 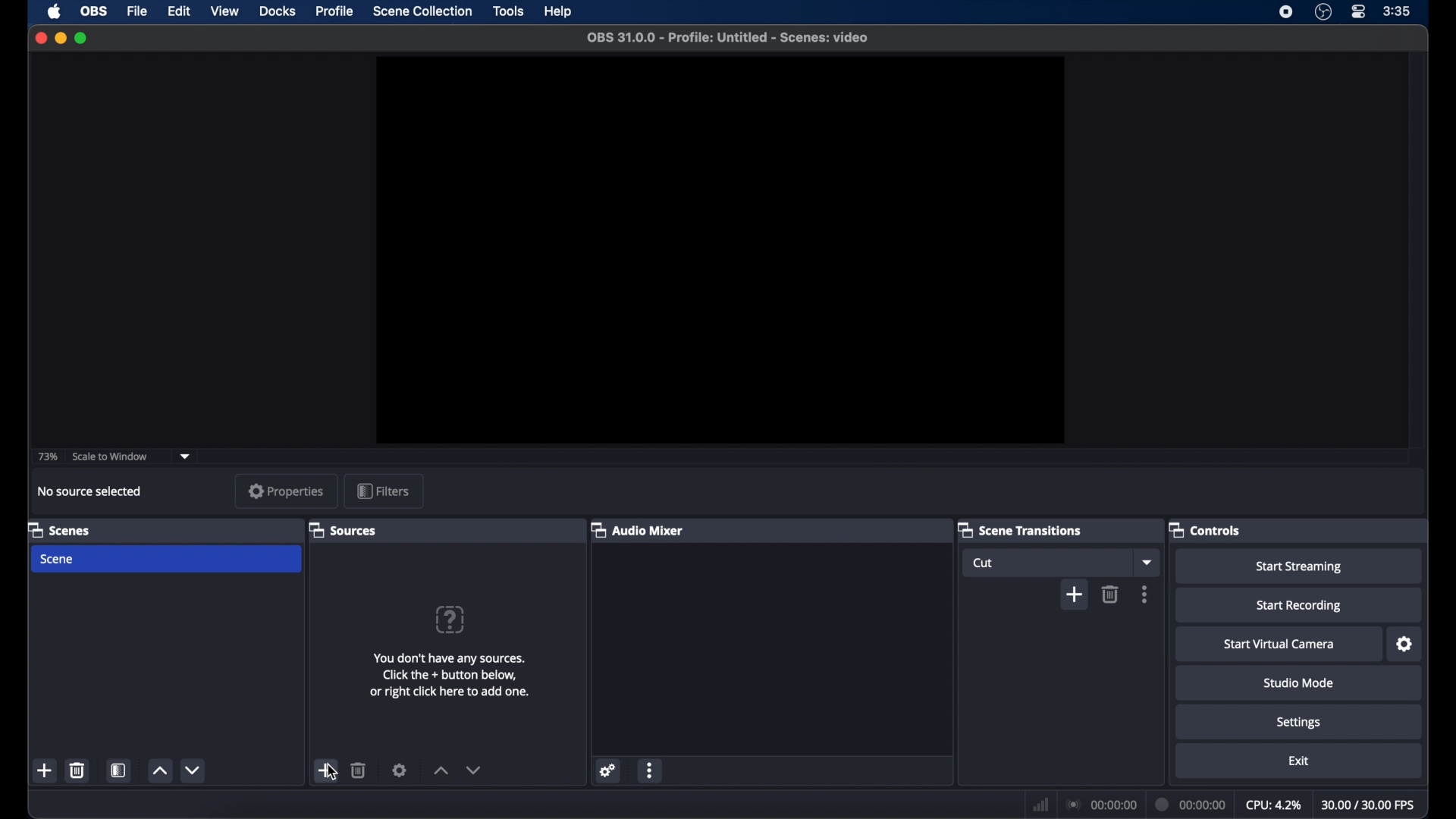 I want to click on cursor, so click(x=331, y=771).